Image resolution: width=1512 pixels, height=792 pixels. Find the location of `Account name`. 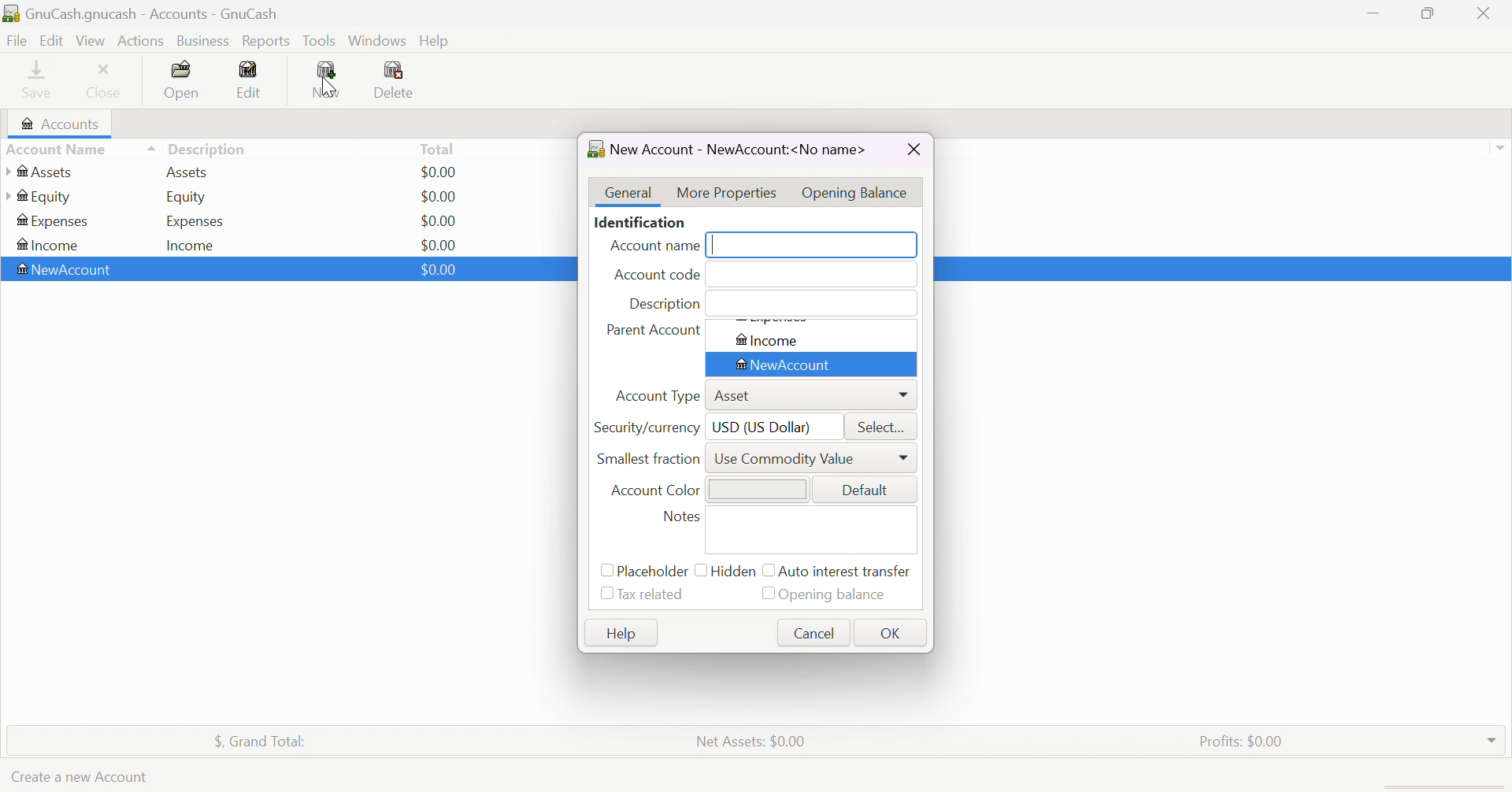

Account name is located at coordinates (654, 246).